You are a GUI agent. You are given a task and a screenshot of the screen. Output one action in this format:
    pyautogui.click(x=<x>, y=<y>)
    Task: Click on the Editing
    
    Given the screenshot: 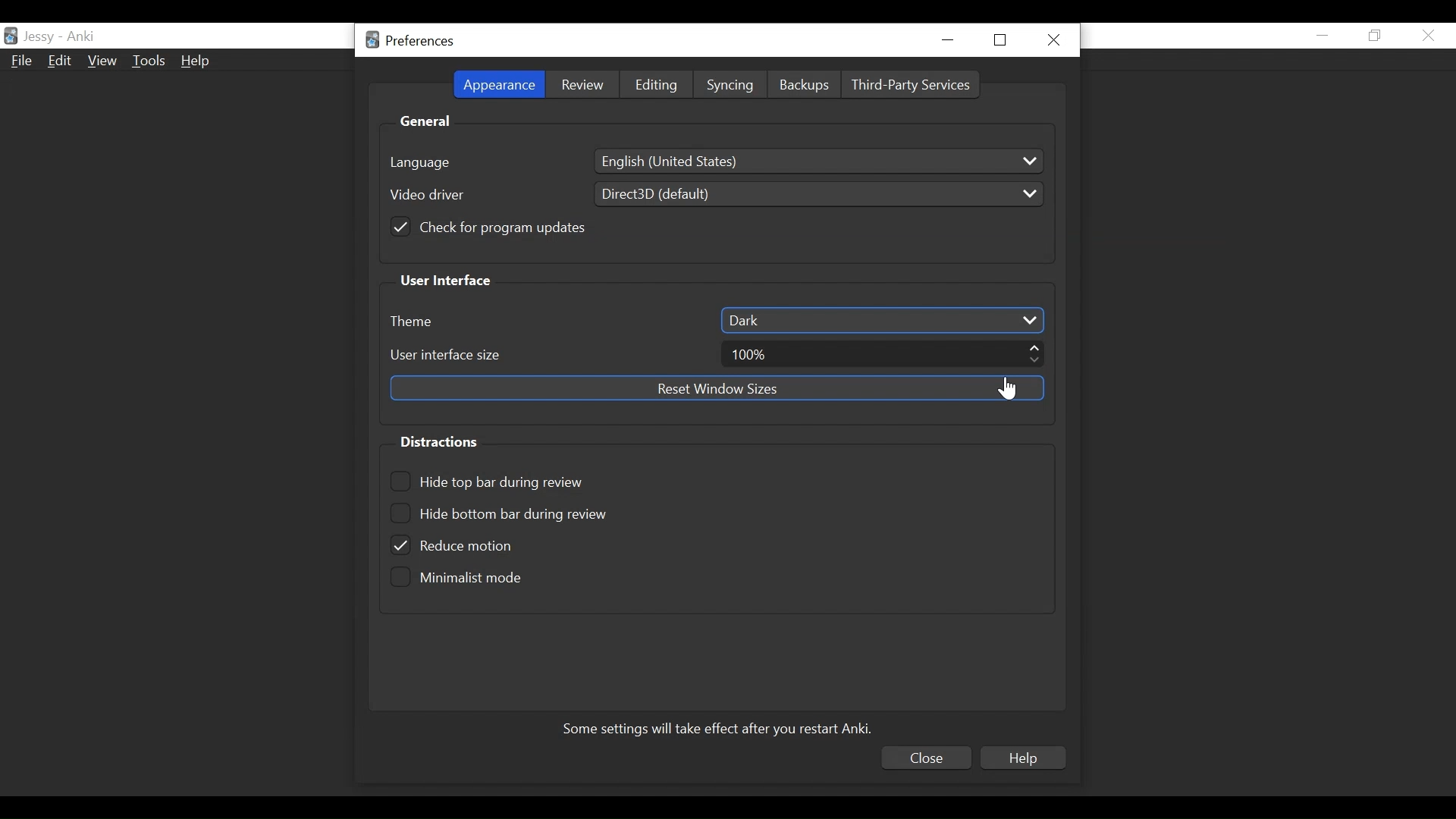 What is the action you would take?
    pyautogui.click(x=657, y=86)
    